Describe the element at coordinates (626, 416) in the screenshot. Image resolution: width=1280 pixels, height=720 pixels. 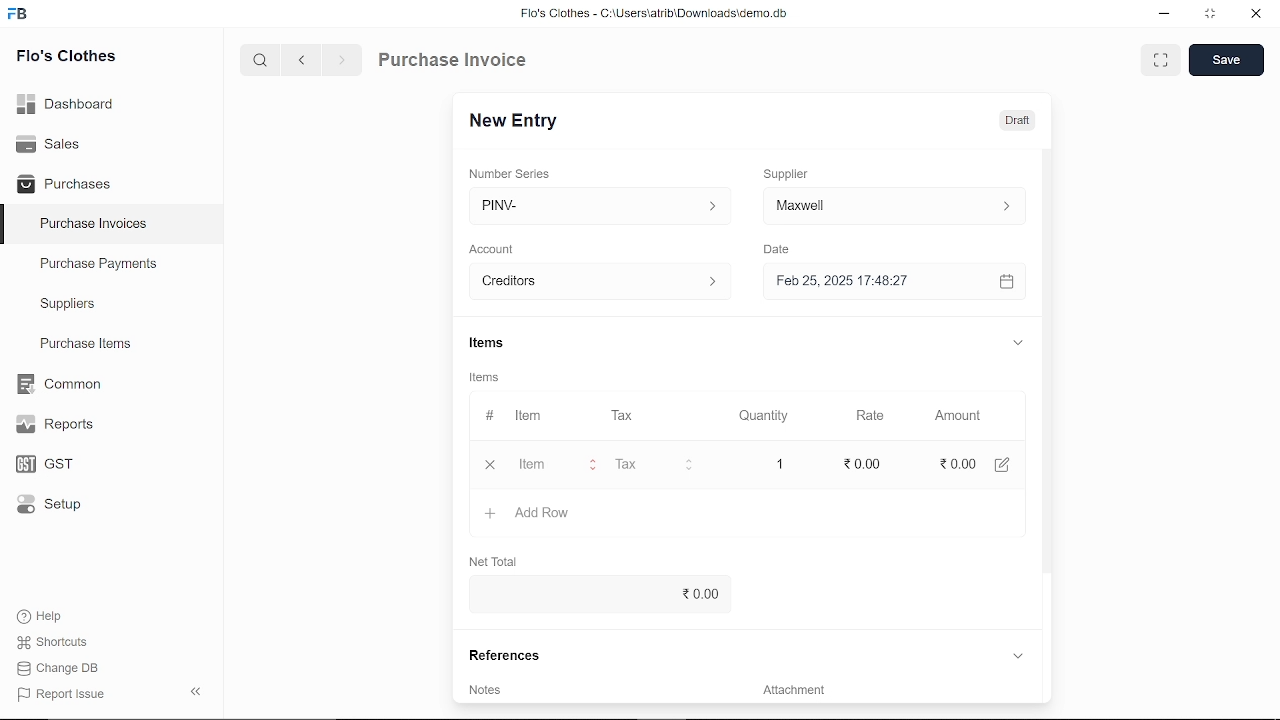
I see `Tax` at that location.